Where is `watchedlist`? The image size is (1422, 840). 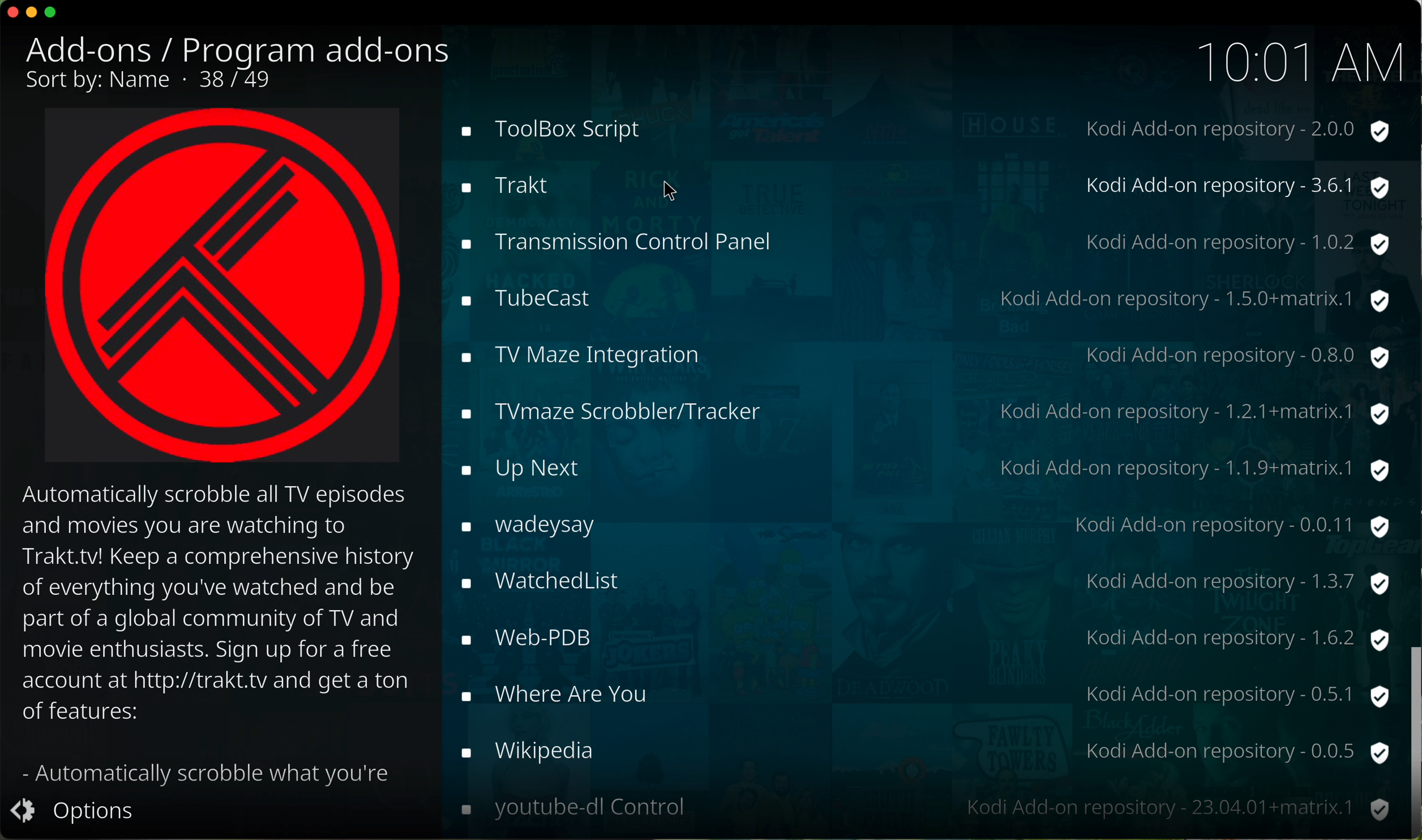
watchedlist is located at coordinates (924, 582).